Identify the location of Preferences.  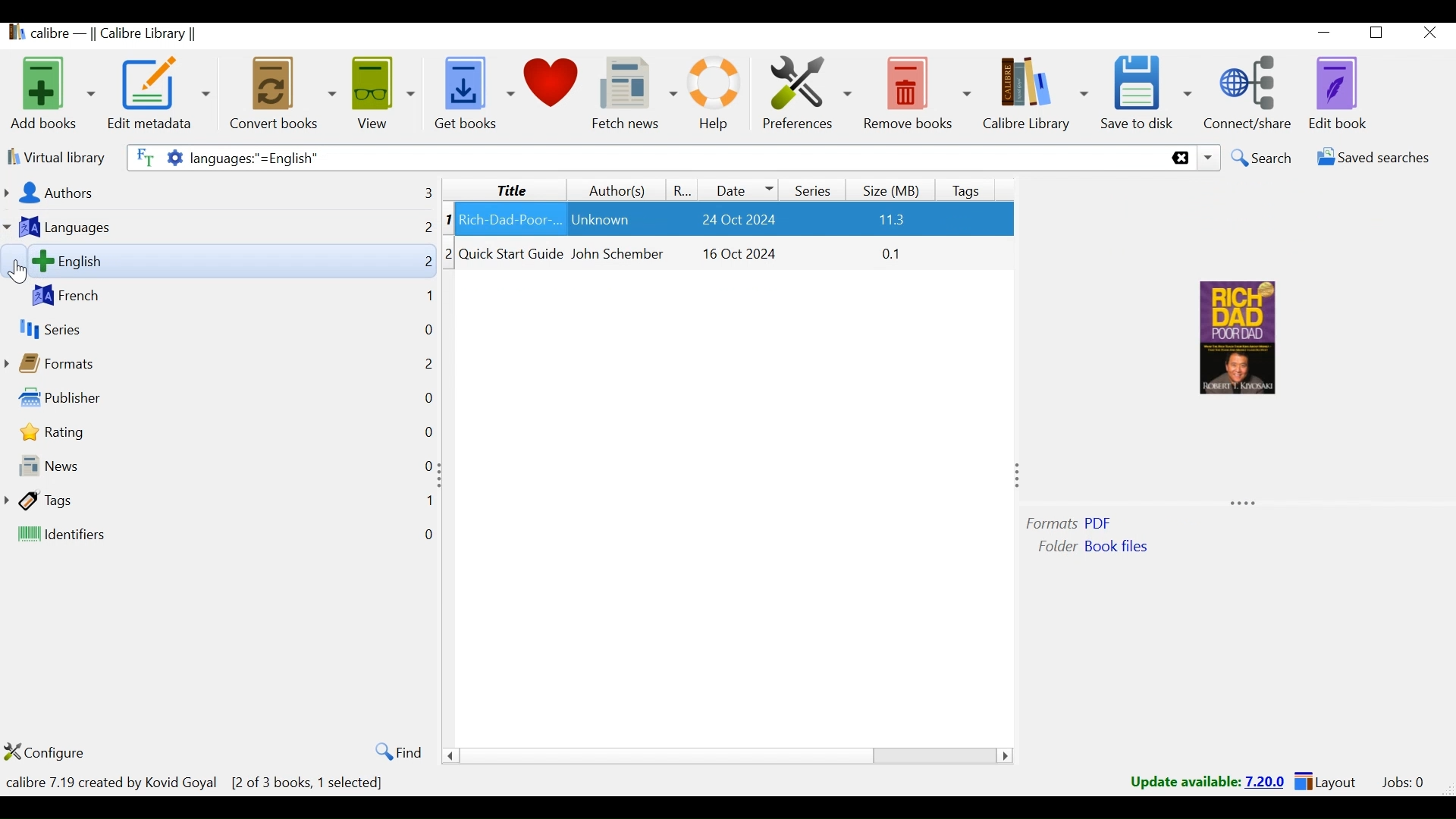
(808, 93).